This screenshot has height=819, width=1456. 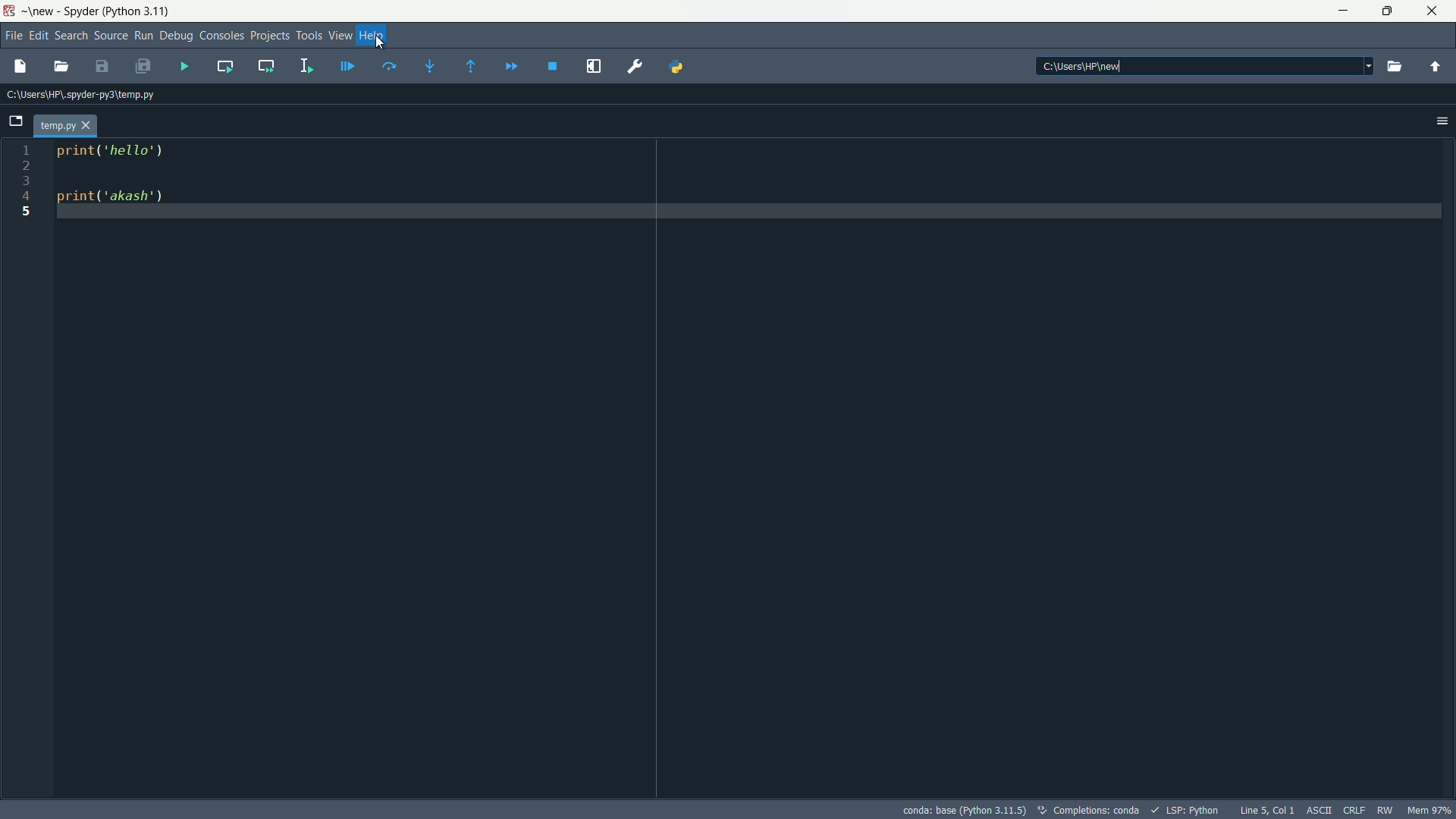 I want to click on ASCII, so click(x=1318, y=809).